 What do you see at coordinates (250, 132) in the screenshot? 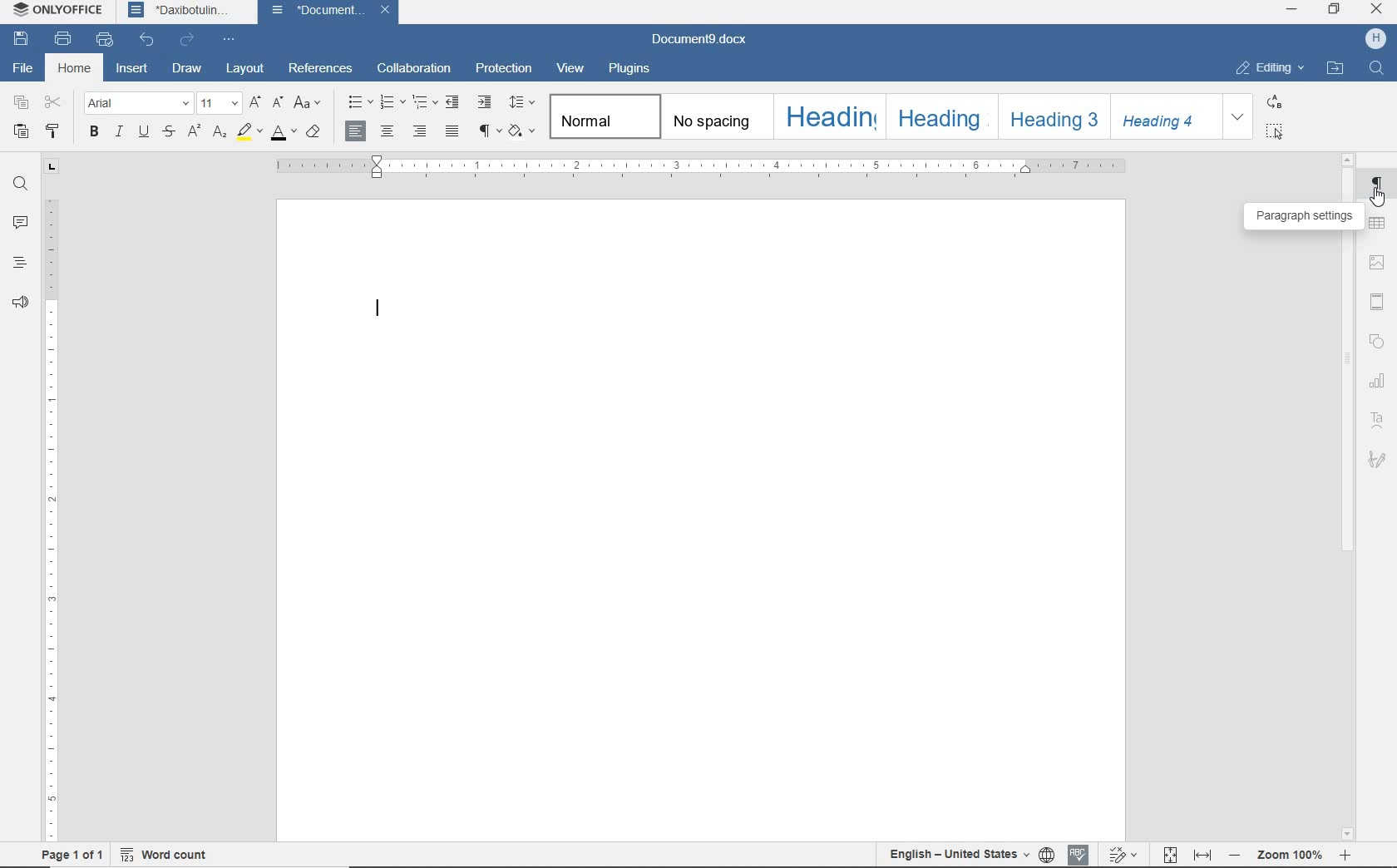
I see `highlight color` at bounding box center [250, 132].